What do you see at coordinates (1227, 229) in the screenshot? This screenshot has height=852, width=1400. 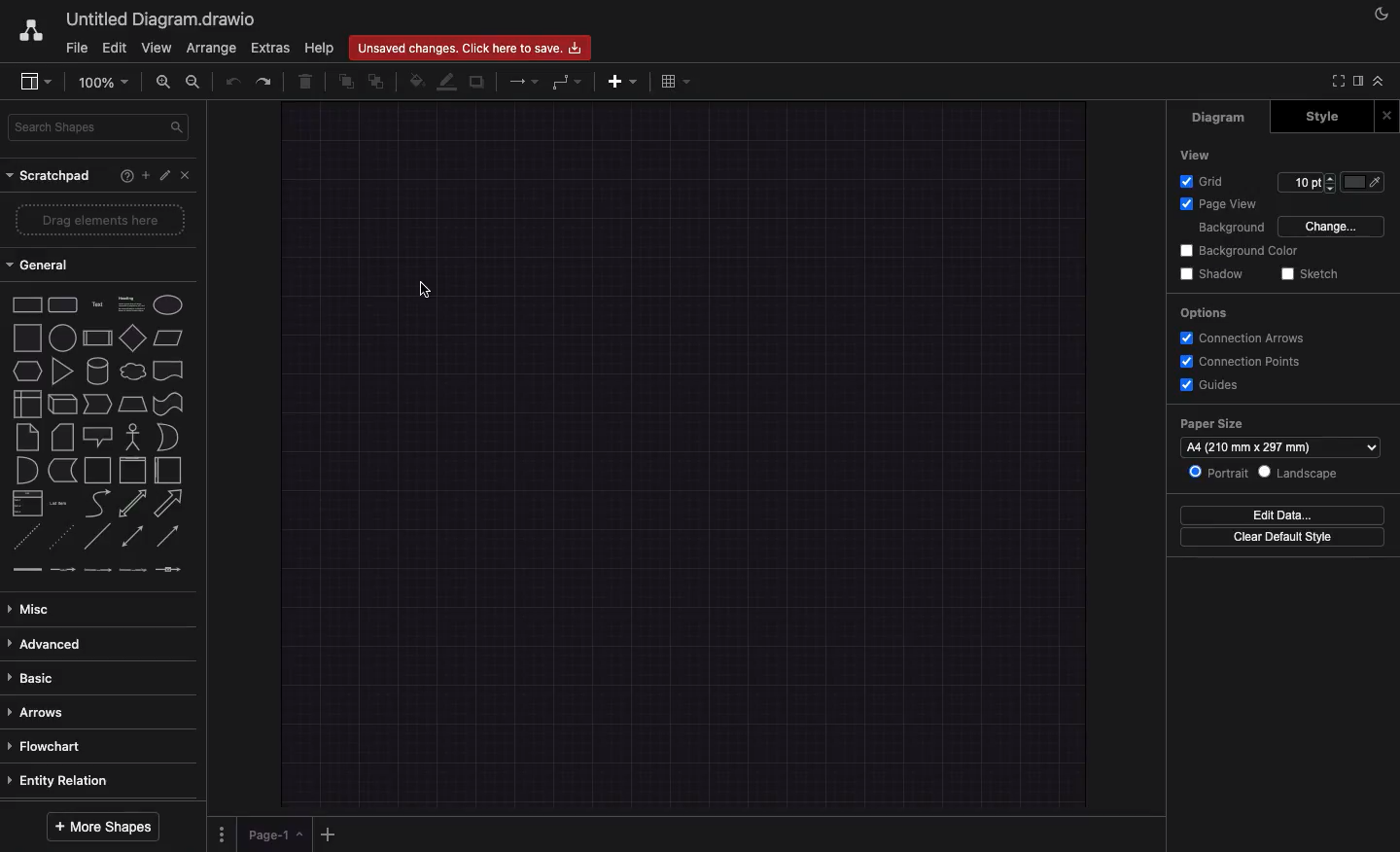 I see `Background` at bounding box center [1227, 229].